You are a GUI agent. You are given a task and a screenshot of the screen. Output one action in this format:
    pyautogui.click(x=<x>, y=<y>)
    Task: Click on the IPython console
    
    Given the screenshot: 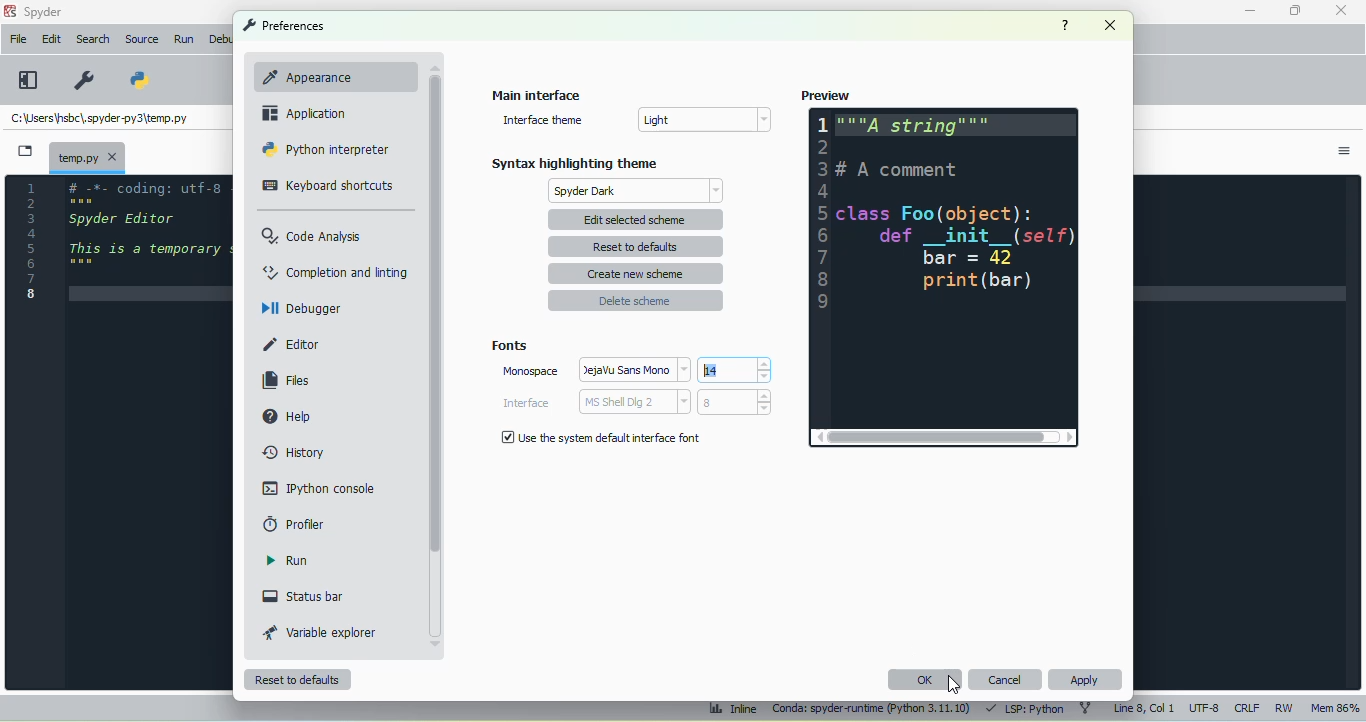 What is the action you would take?
    pyautogui.click(x=318, y=487)
    